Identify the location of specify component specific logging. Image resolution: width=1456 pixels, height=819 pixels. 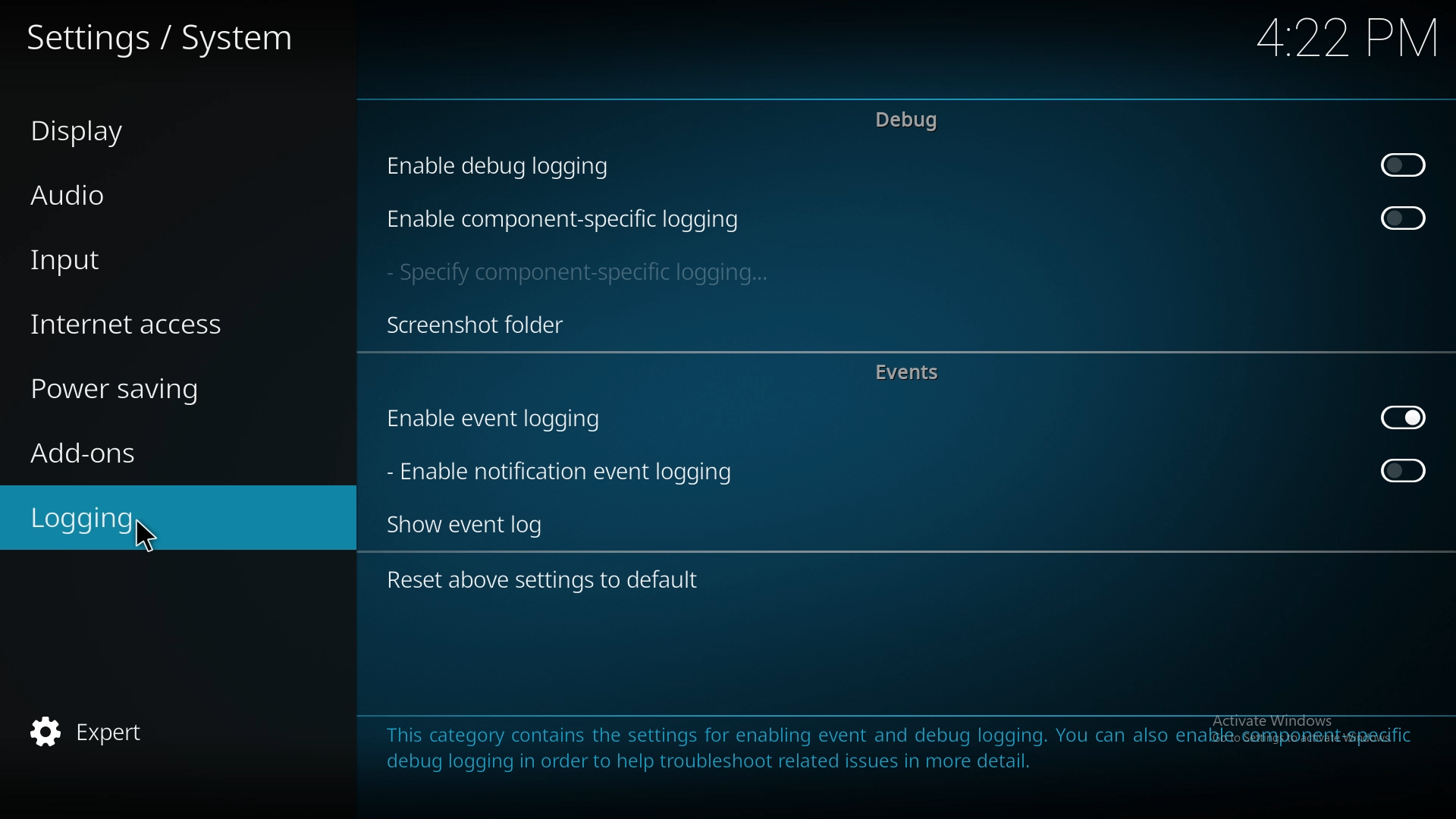
(585, 275).